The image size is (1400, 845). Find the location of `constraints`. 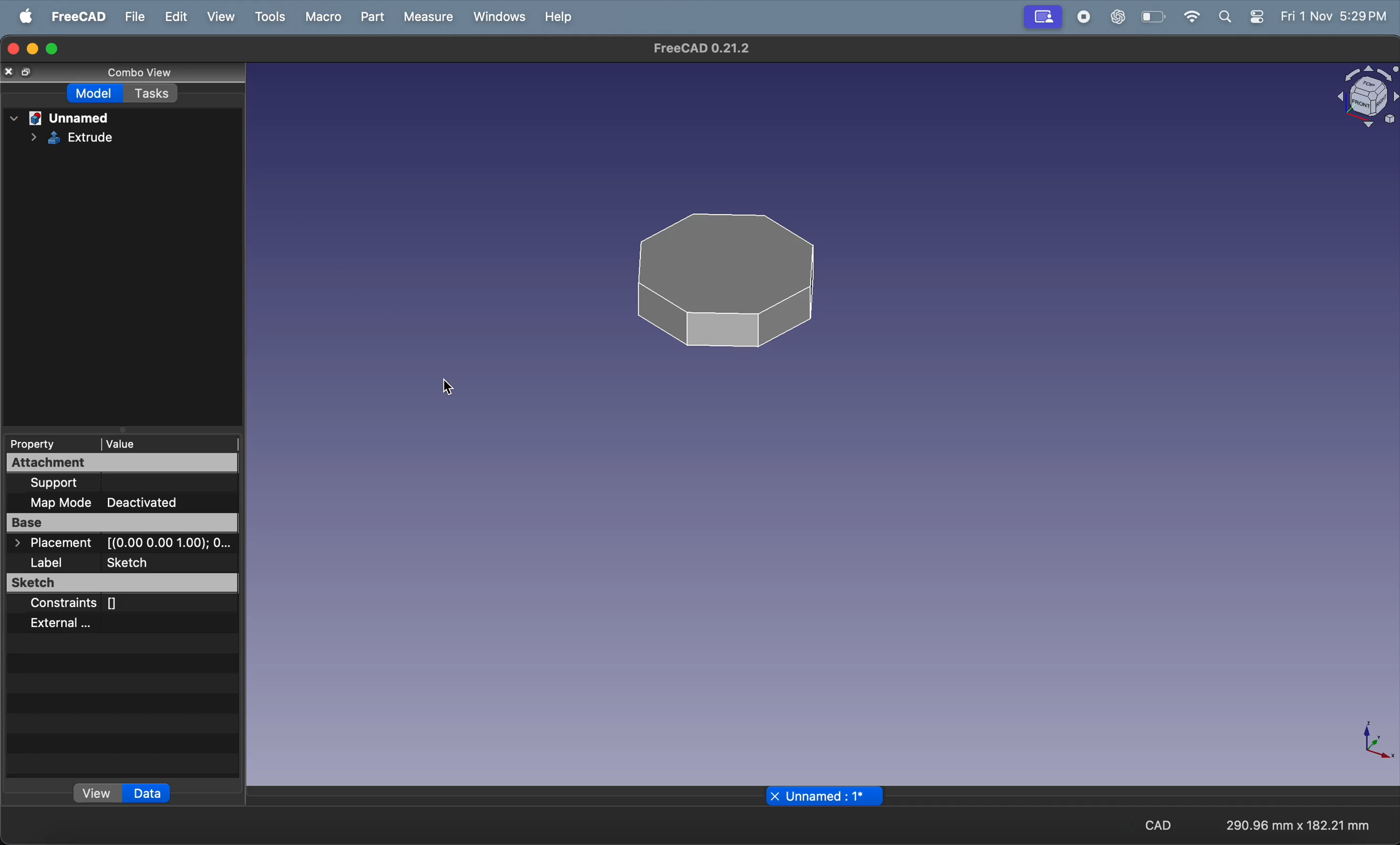

constraints is located at coordinates (87, 603).